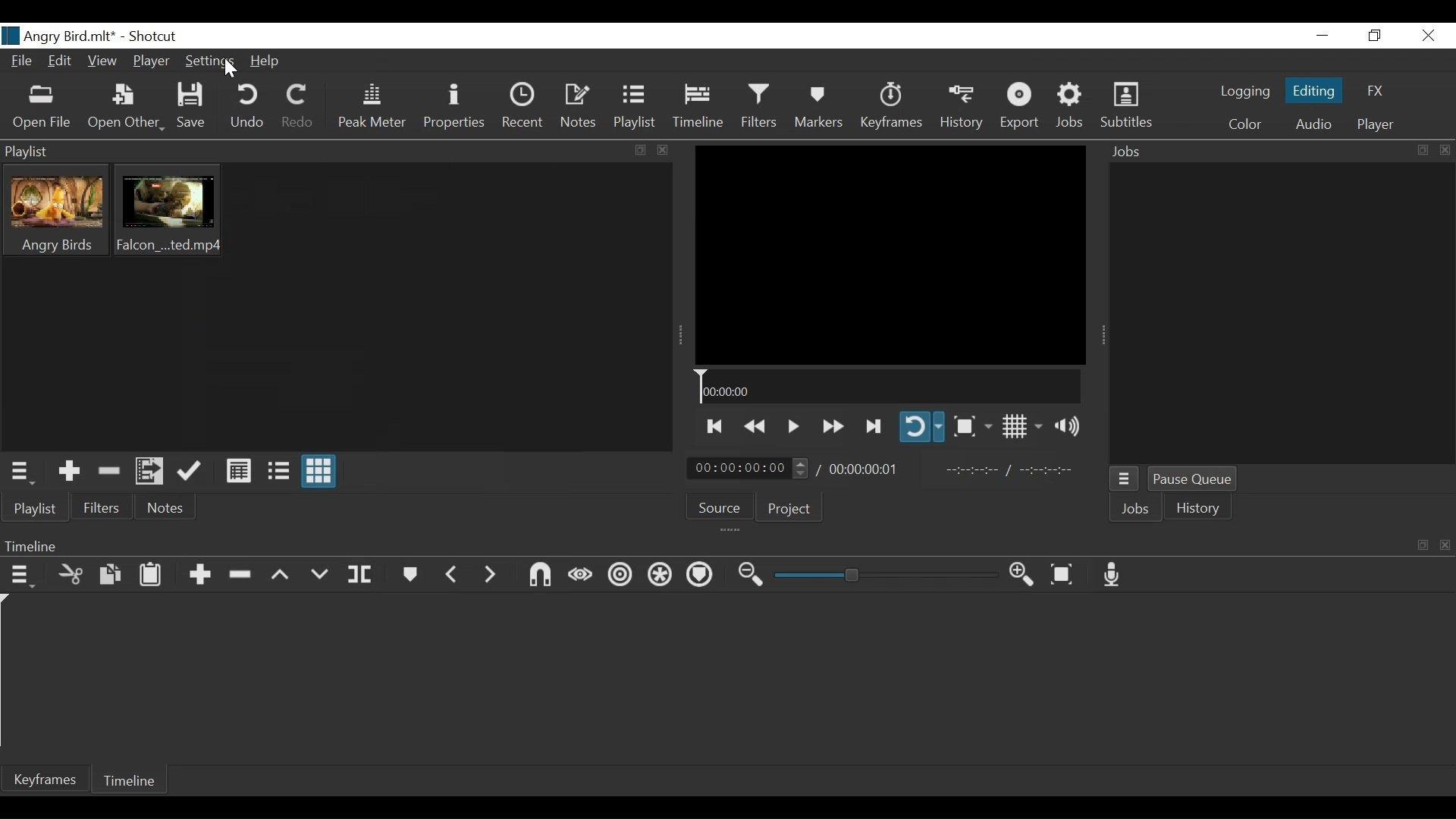 The width and height of the screenshot is (1456, 819). What do you see at coordinates (634, 108) in the screenshot?
I see `Playlist` at bounding box center [634, 108].